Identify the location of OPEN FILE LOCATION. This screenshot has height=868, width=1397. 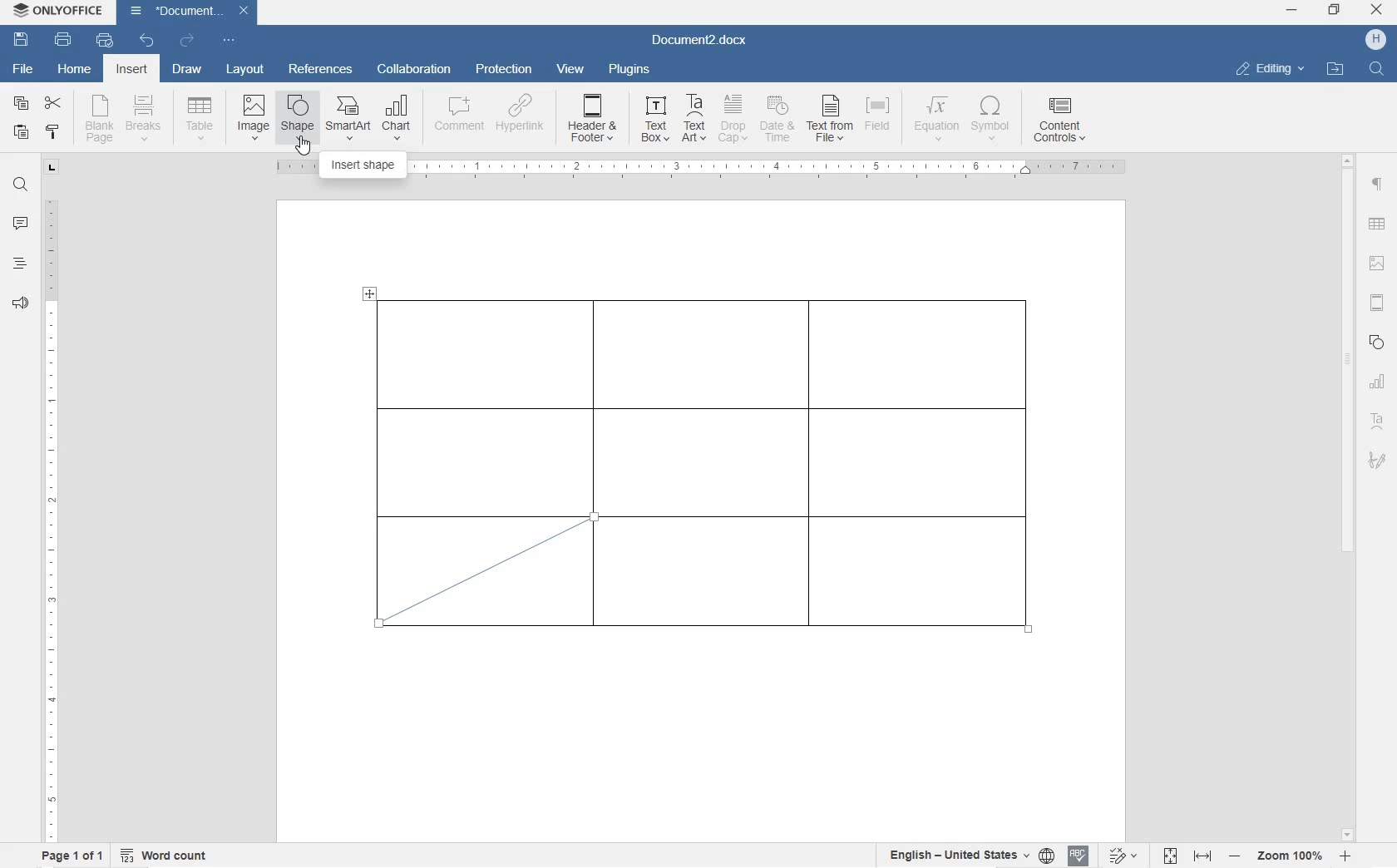
(1337, 70).